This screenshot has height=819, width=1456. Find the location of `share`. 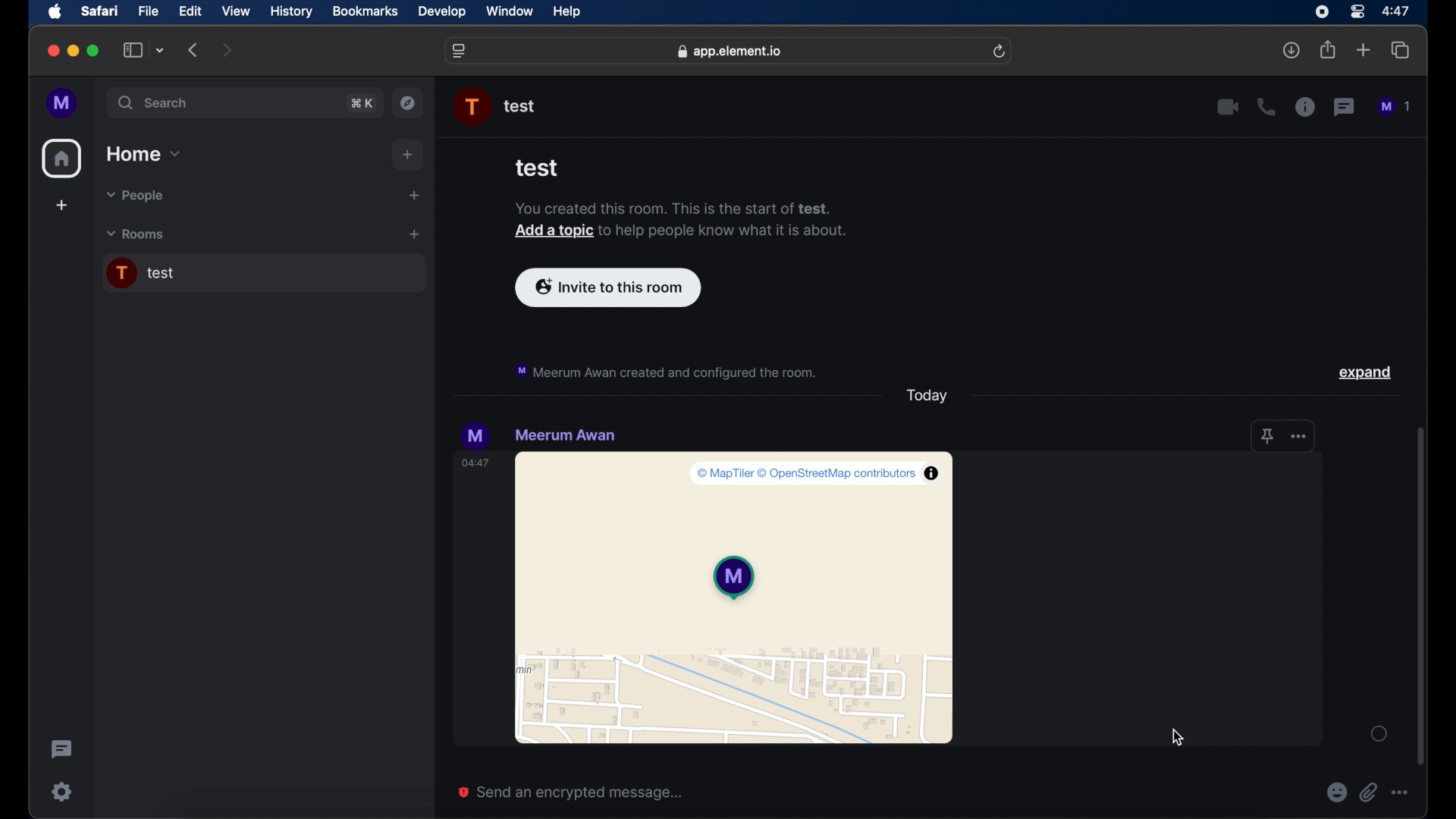

share is located at coordinates (1327, 50).